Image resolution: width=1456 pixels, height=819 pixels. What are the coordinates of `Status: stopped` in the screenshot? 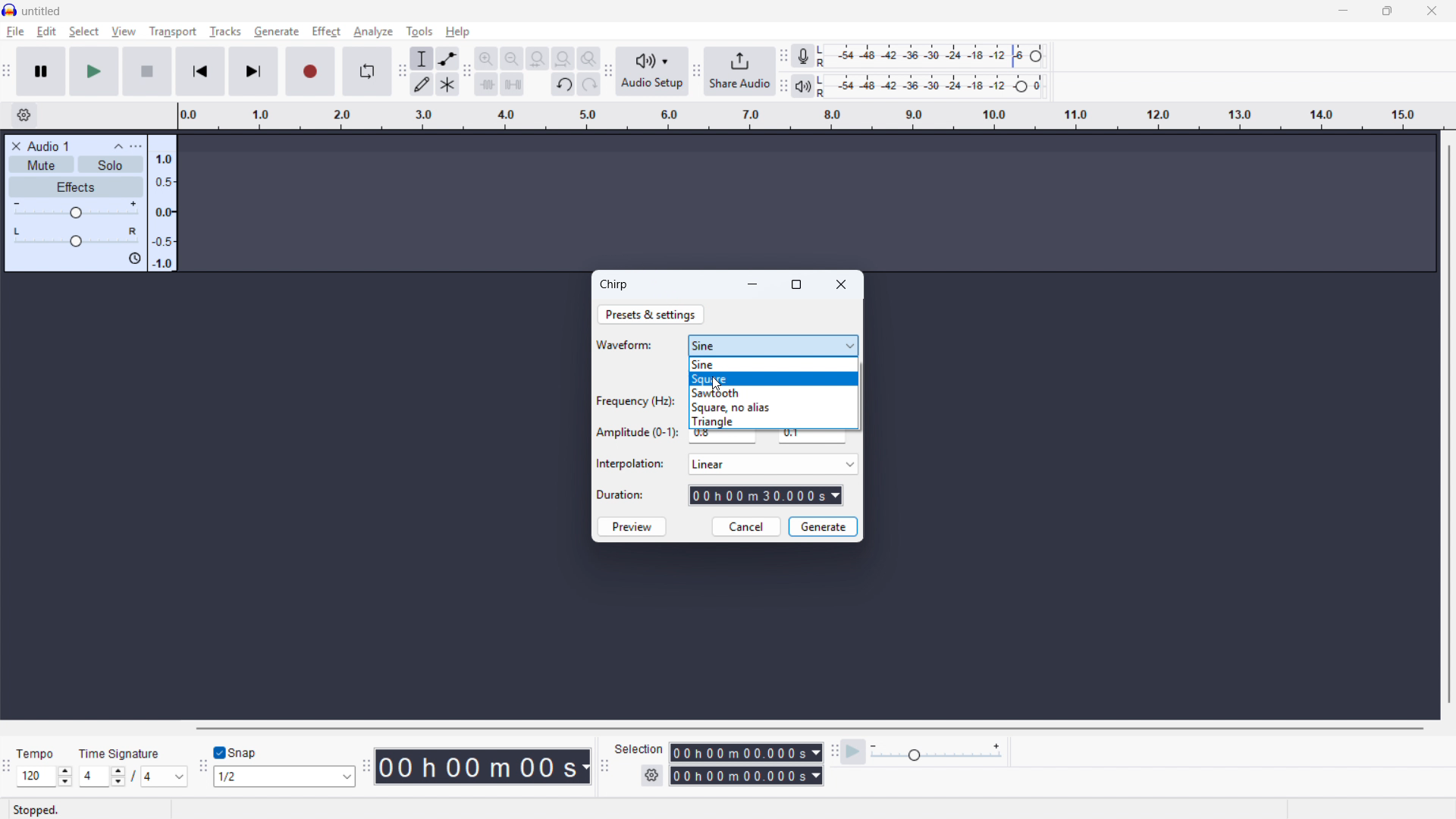 It's located at (39, 809).